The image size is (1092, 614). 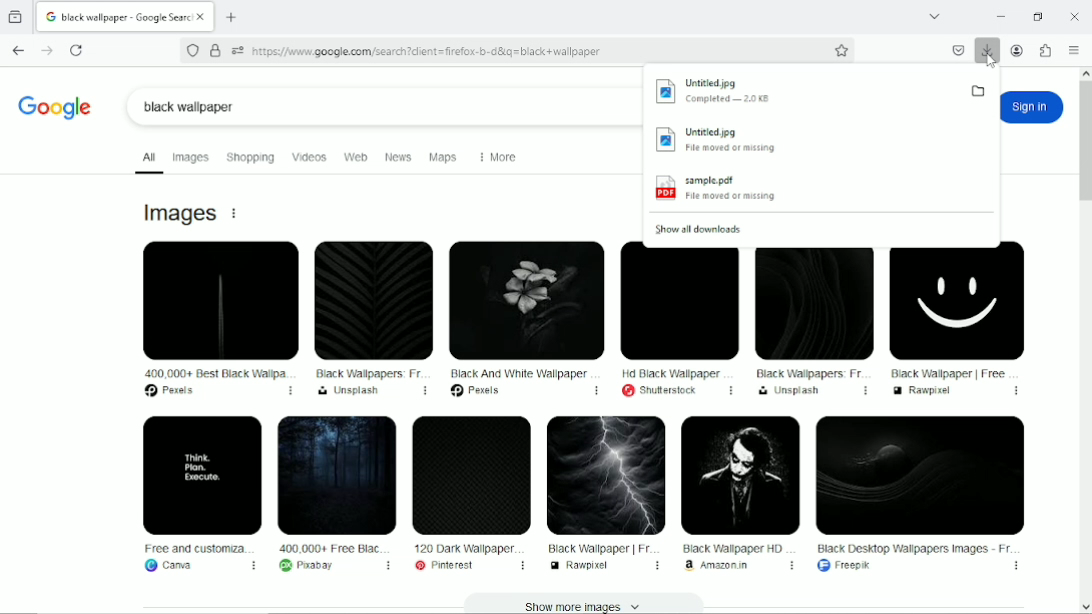 I want to click on List all tabs, so click(x=936, y=15).